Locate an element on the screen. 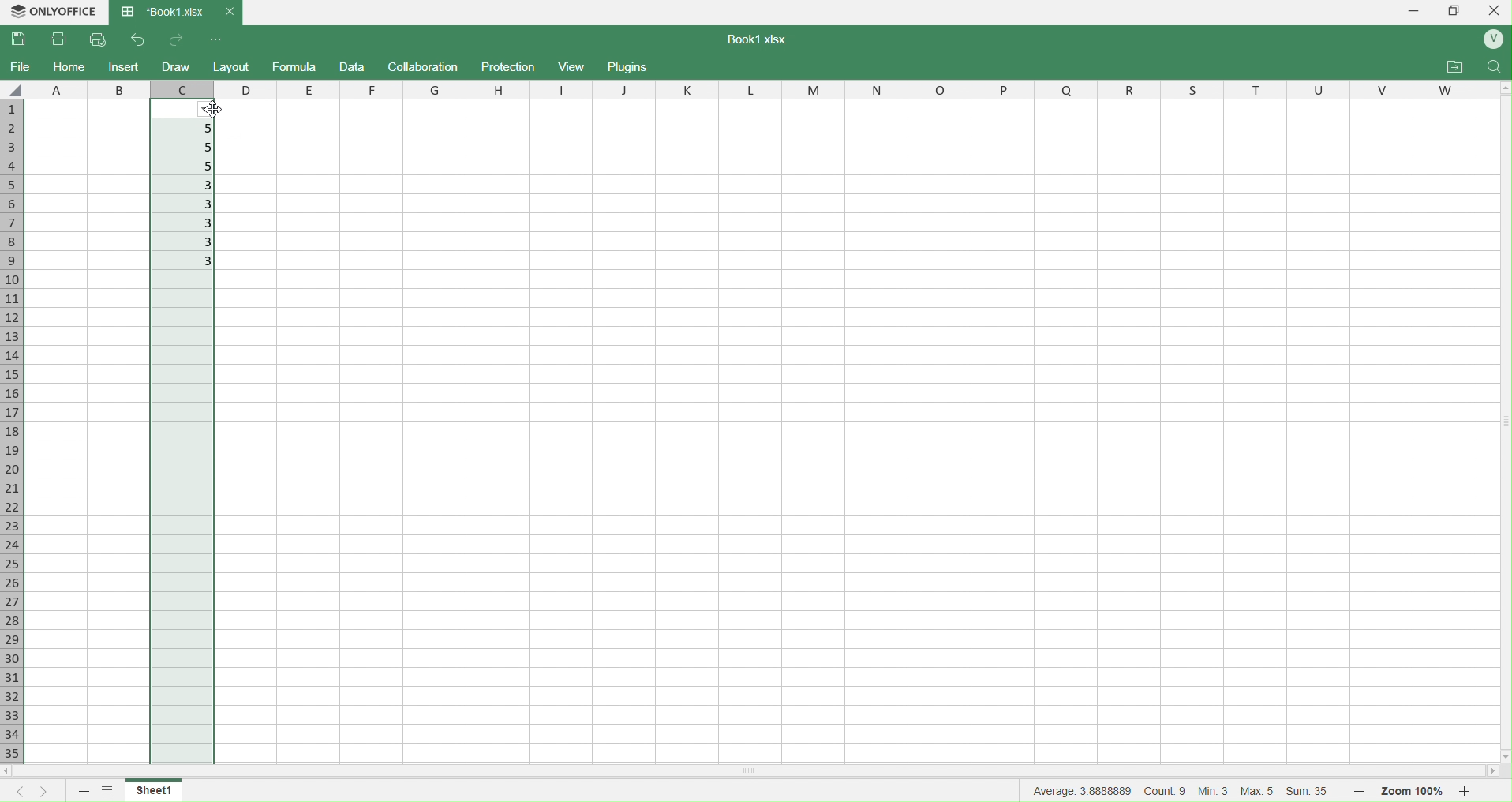 The height and width of the screenshot is (802, 1512). Customize Quick access toolbar is located at coordinates (216, 40).